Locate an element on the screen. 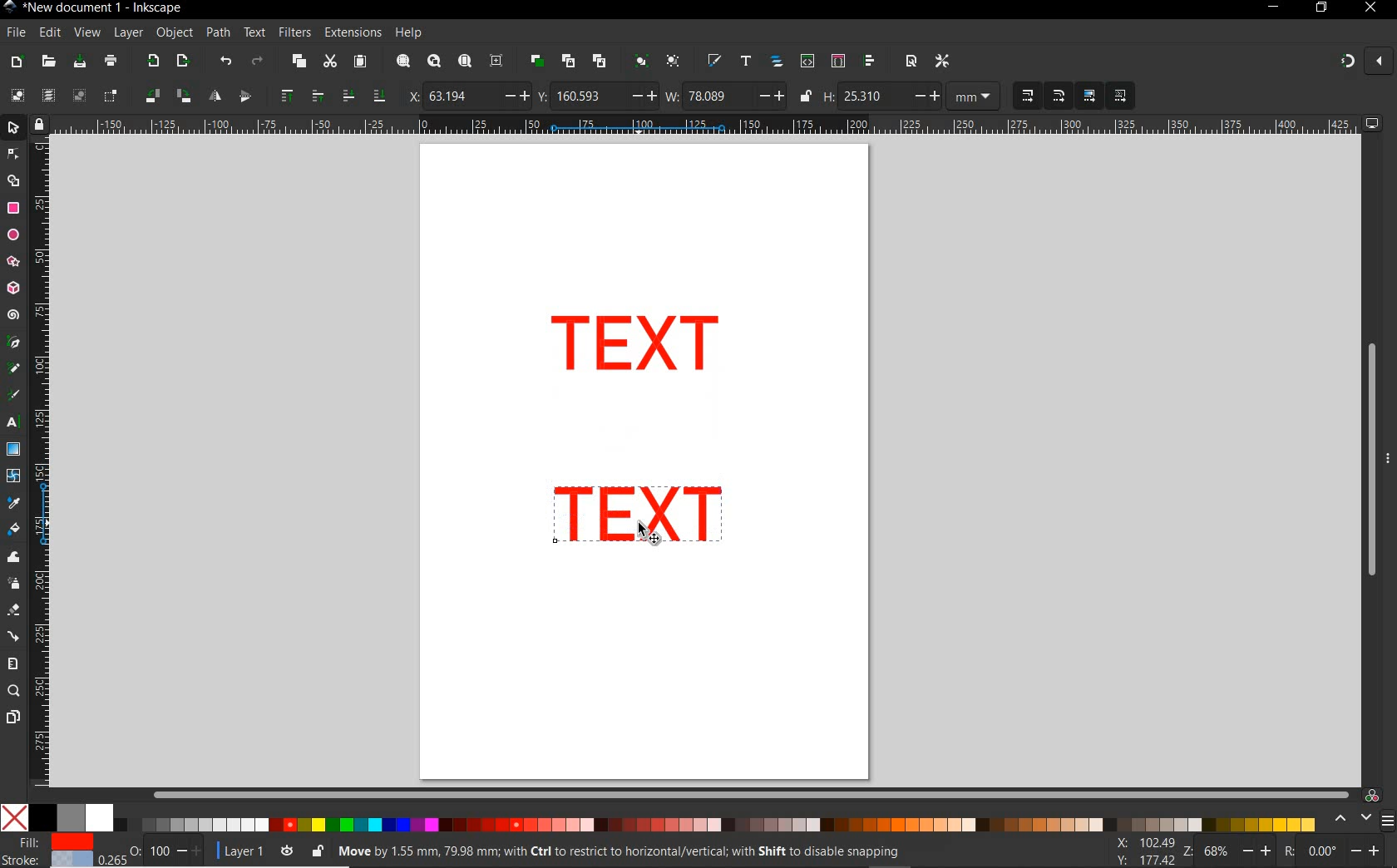 The width and height of the screenshot is (1397, 868). pen tool is located at coordinates (12, 343).